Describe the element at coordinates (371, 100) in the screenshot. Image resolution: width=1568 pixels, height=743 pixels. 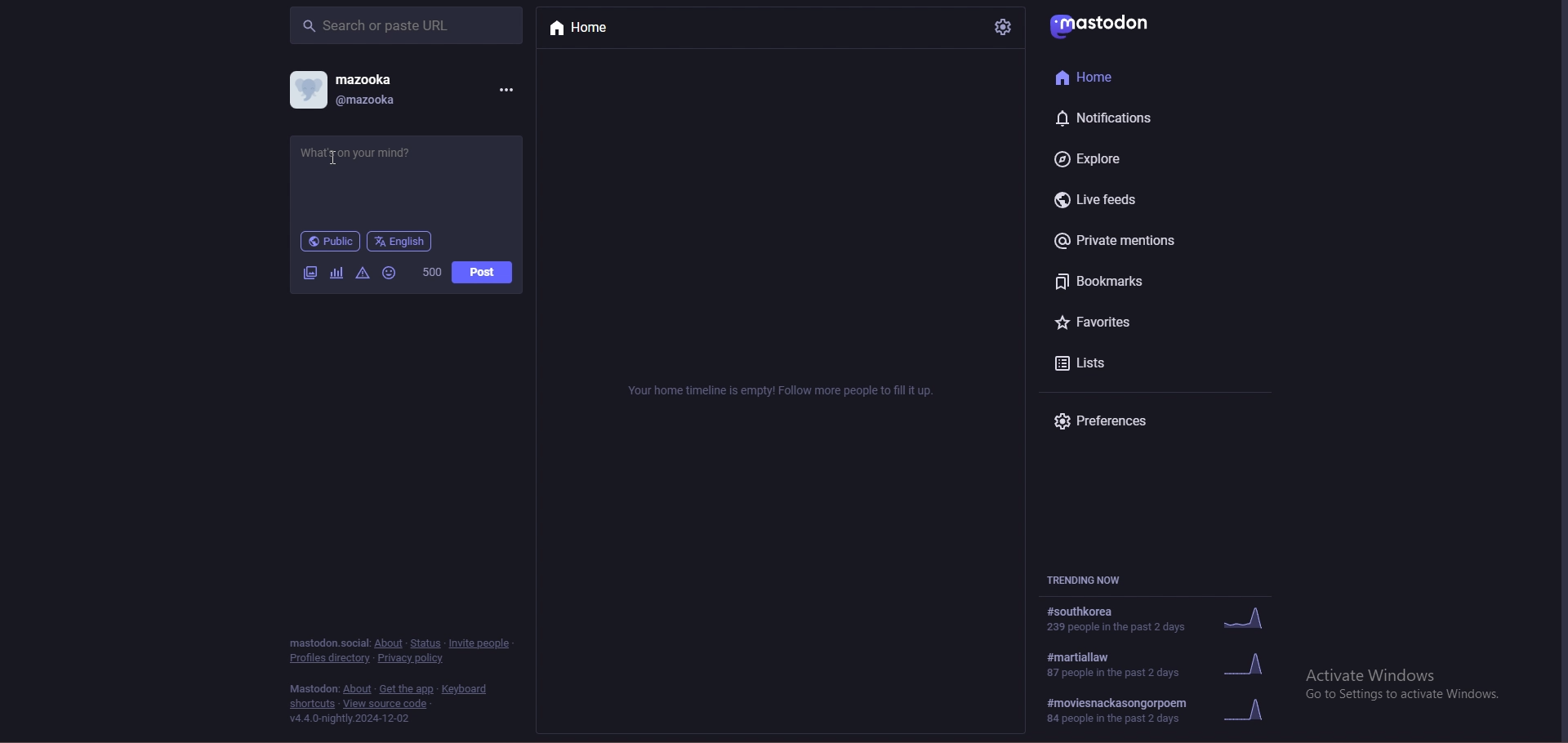
I see `@mazooka` at that location.